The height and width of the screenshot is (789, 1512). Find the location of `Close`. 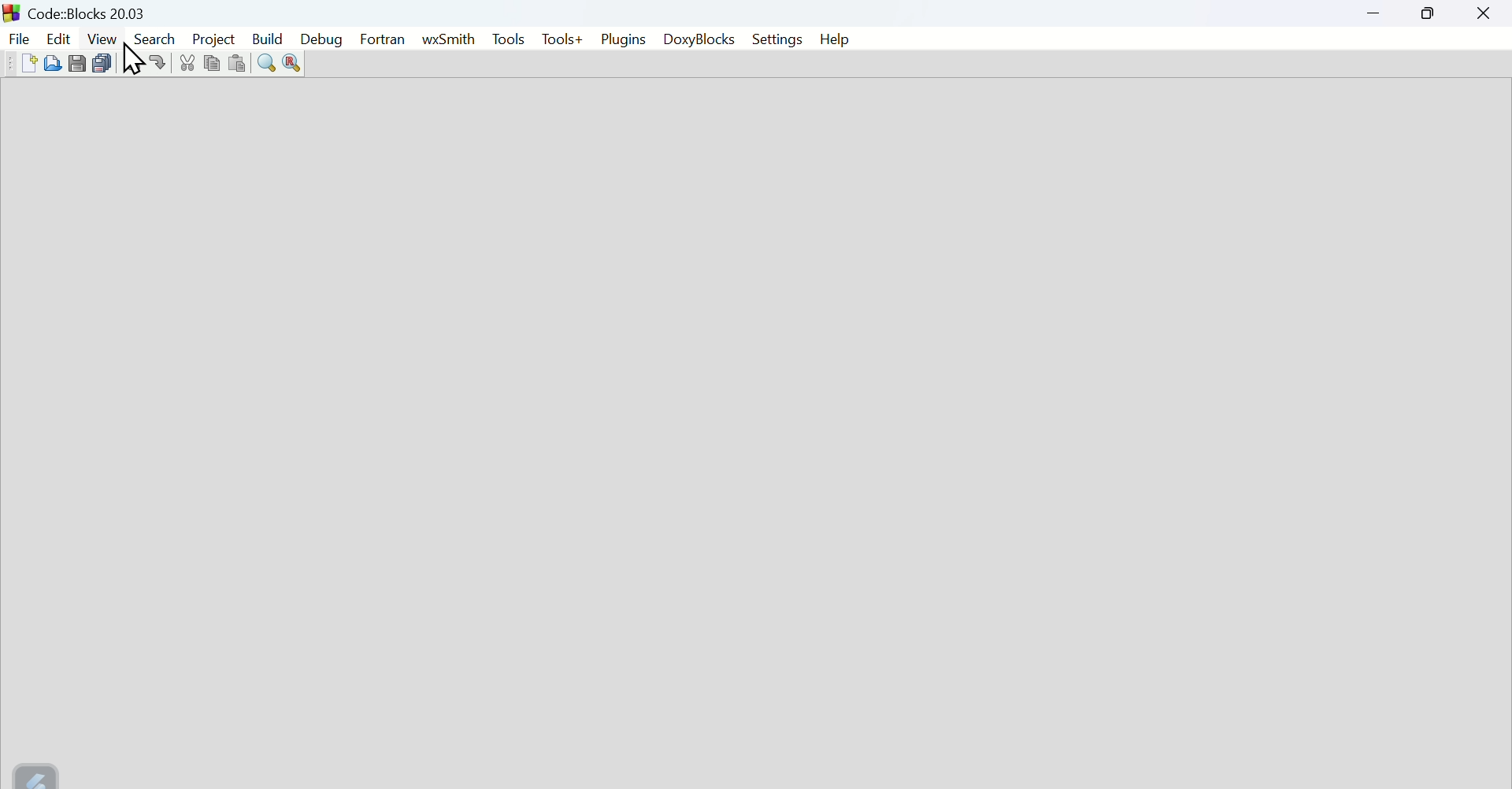

Close is located at coordinates (1484, 13).